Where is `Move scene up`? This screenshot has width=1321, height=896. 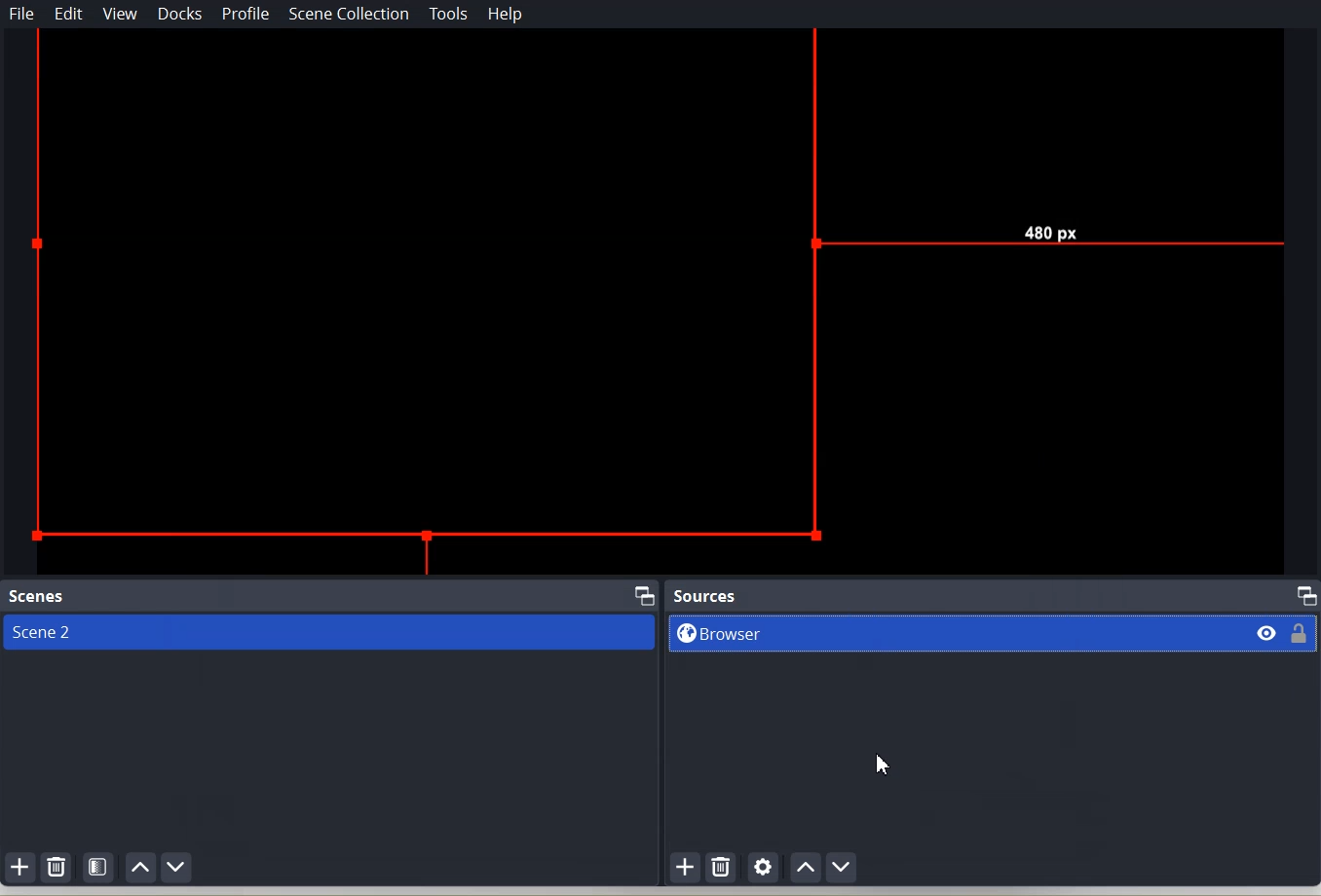
Move scene up is located at coordinates (142, 867).